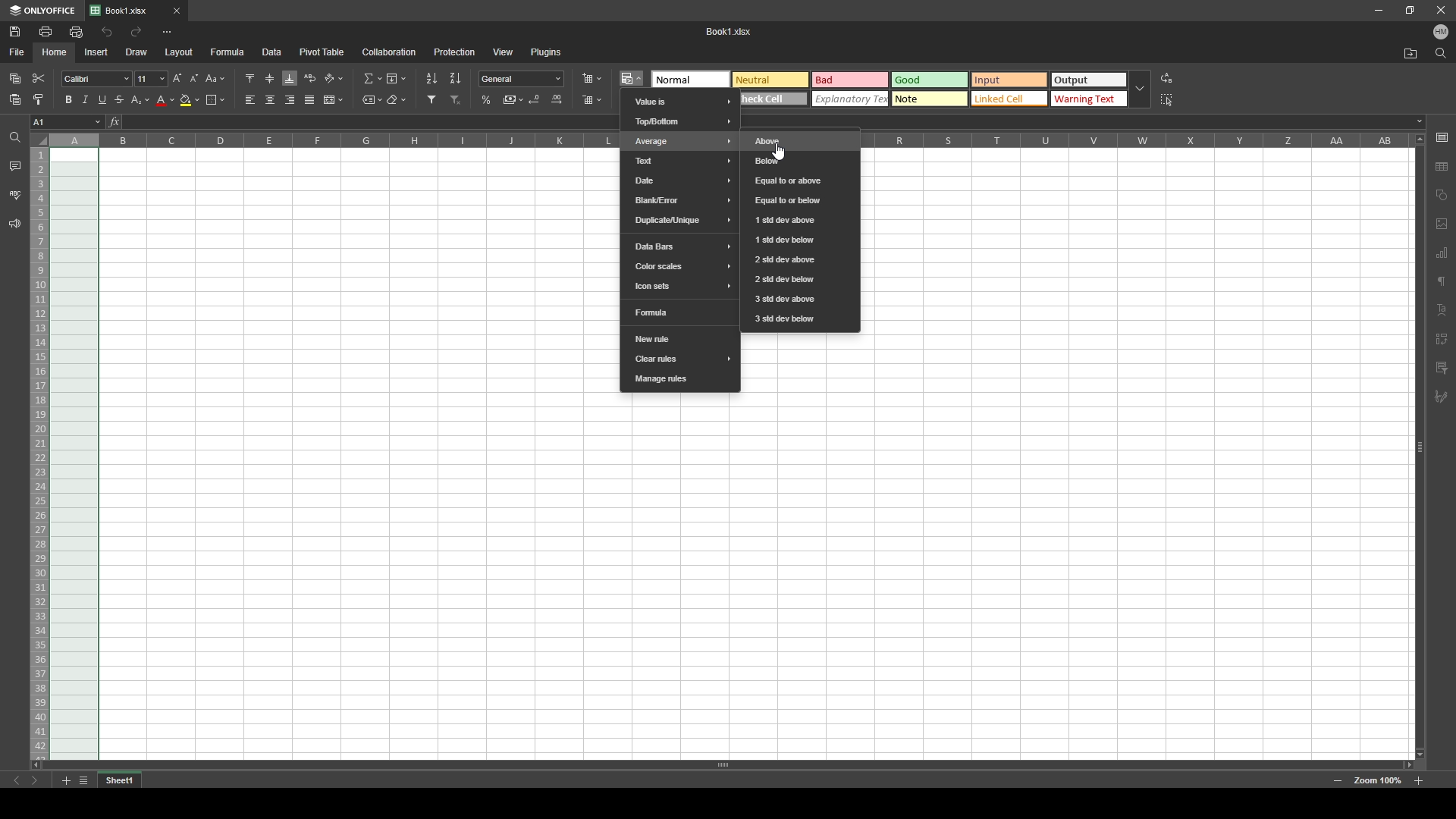  What do you see at coordinates (1137, 455) in the screenshot?
I see `cells` at bounding box center [1137, 455].